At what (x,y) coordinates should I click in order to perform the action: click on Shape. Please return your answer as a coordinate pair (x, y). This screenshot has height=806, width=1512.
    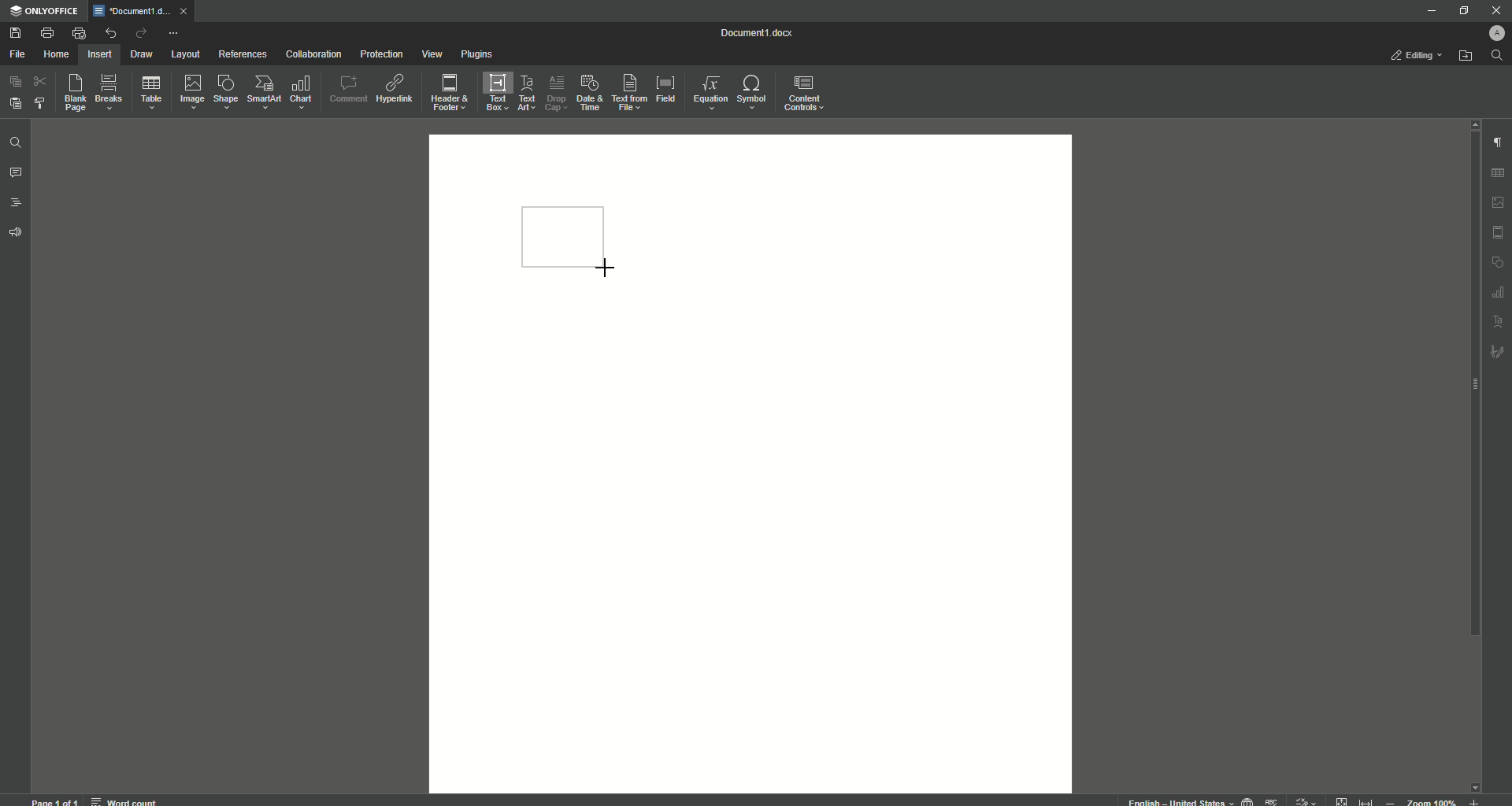
    Looking at the image, I should click on (224, 91).